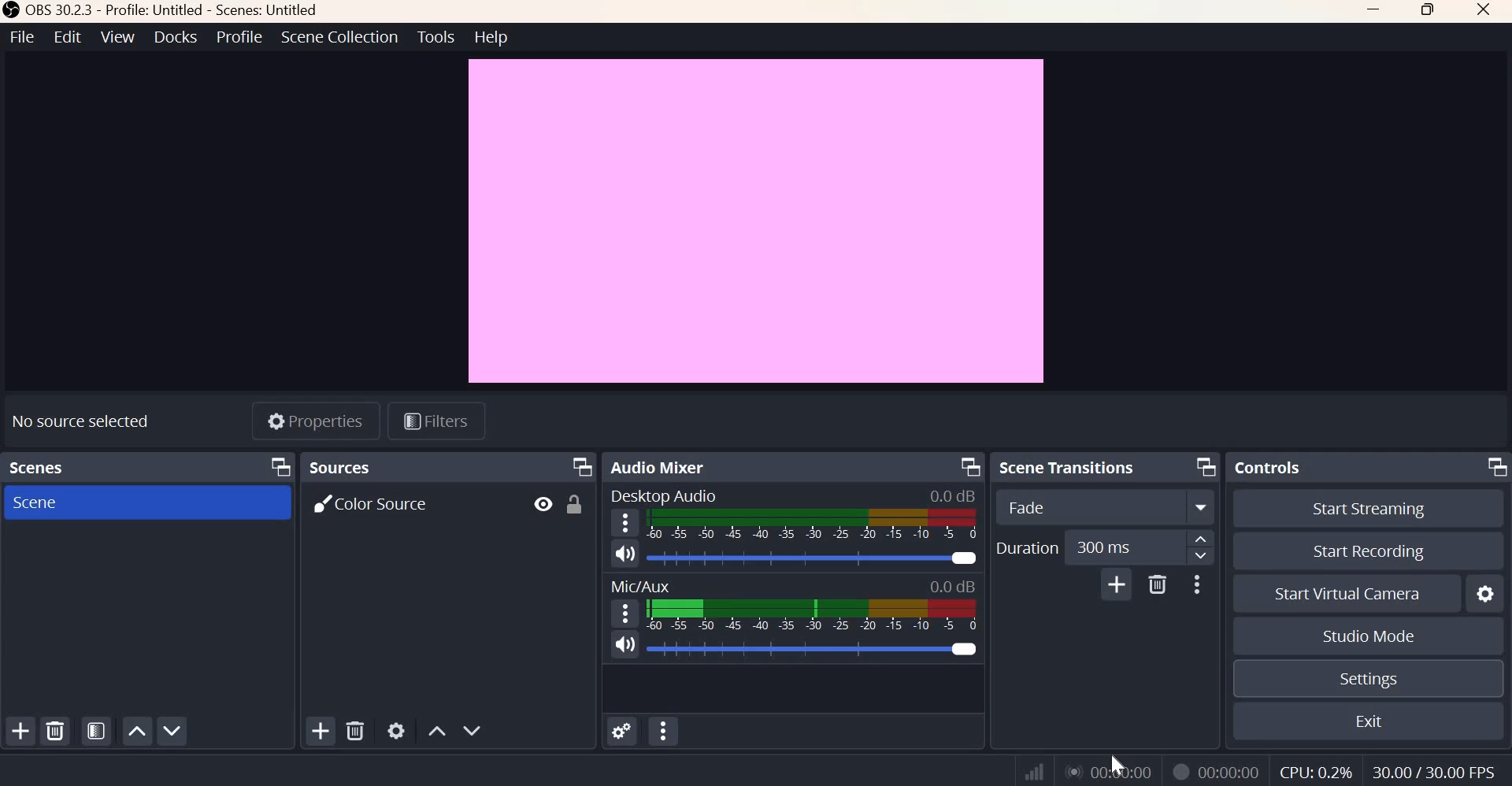 Image resolution: width=1512 pixels, height=786 pixels. I want to click on Scene collection, so click(340, 38).